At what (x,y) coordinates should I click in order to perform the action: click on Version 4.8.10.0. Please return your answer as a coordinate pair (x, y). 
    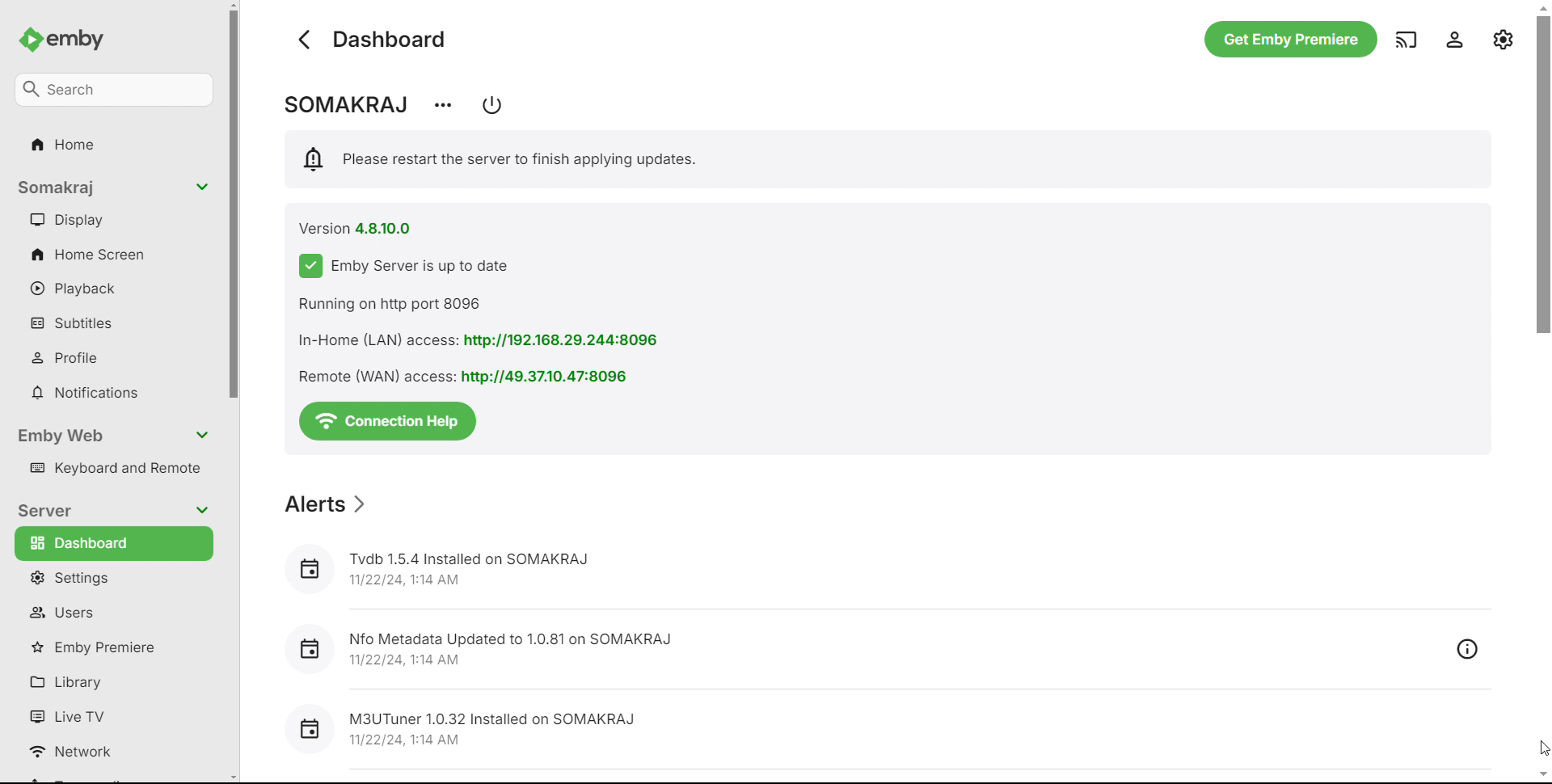
    Looking at the image, I should click on (355, 227).